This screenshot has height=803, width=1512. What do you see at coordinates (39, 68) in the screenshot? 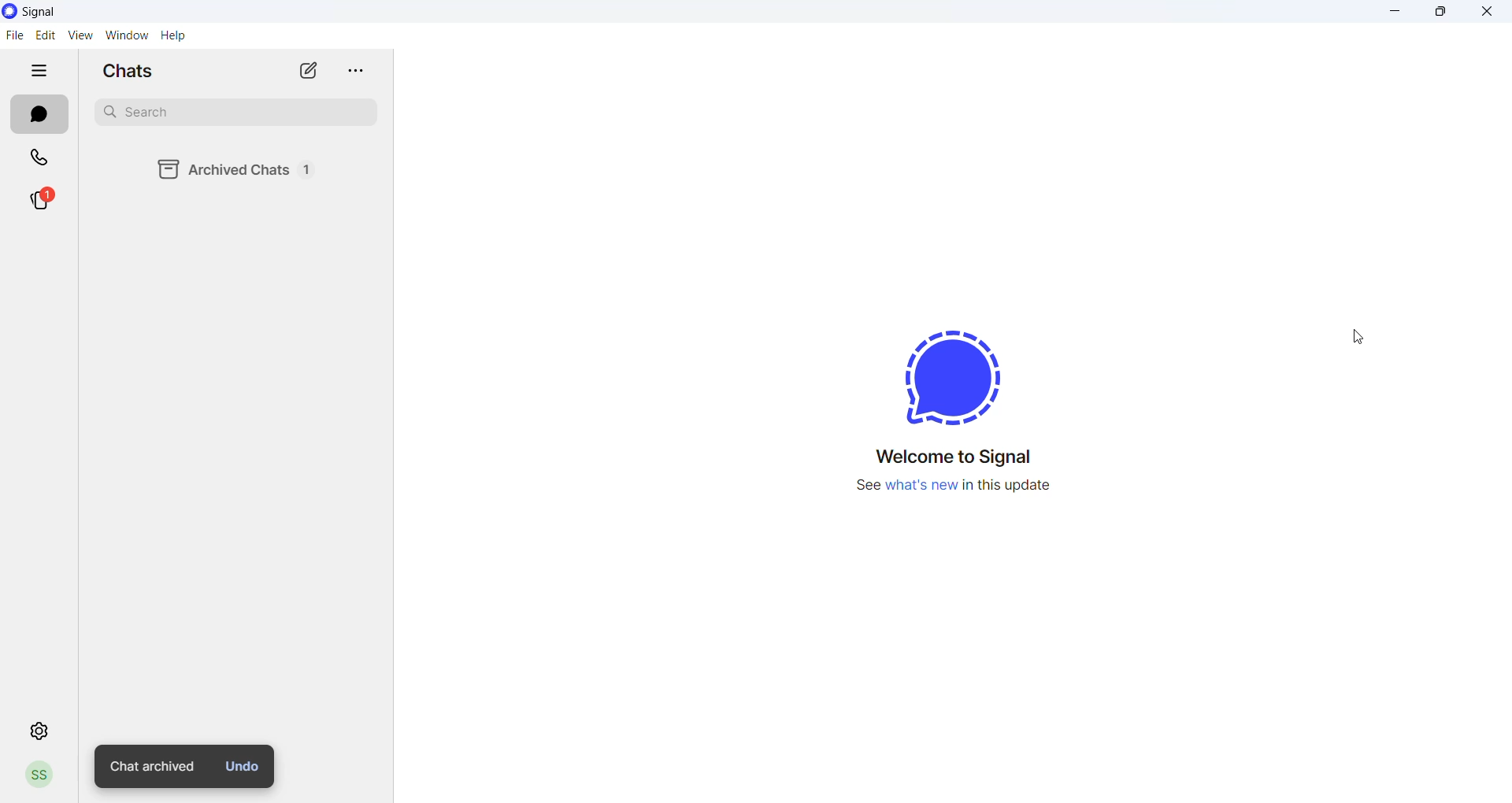
I see `hide` at bounding box center [39, 68].